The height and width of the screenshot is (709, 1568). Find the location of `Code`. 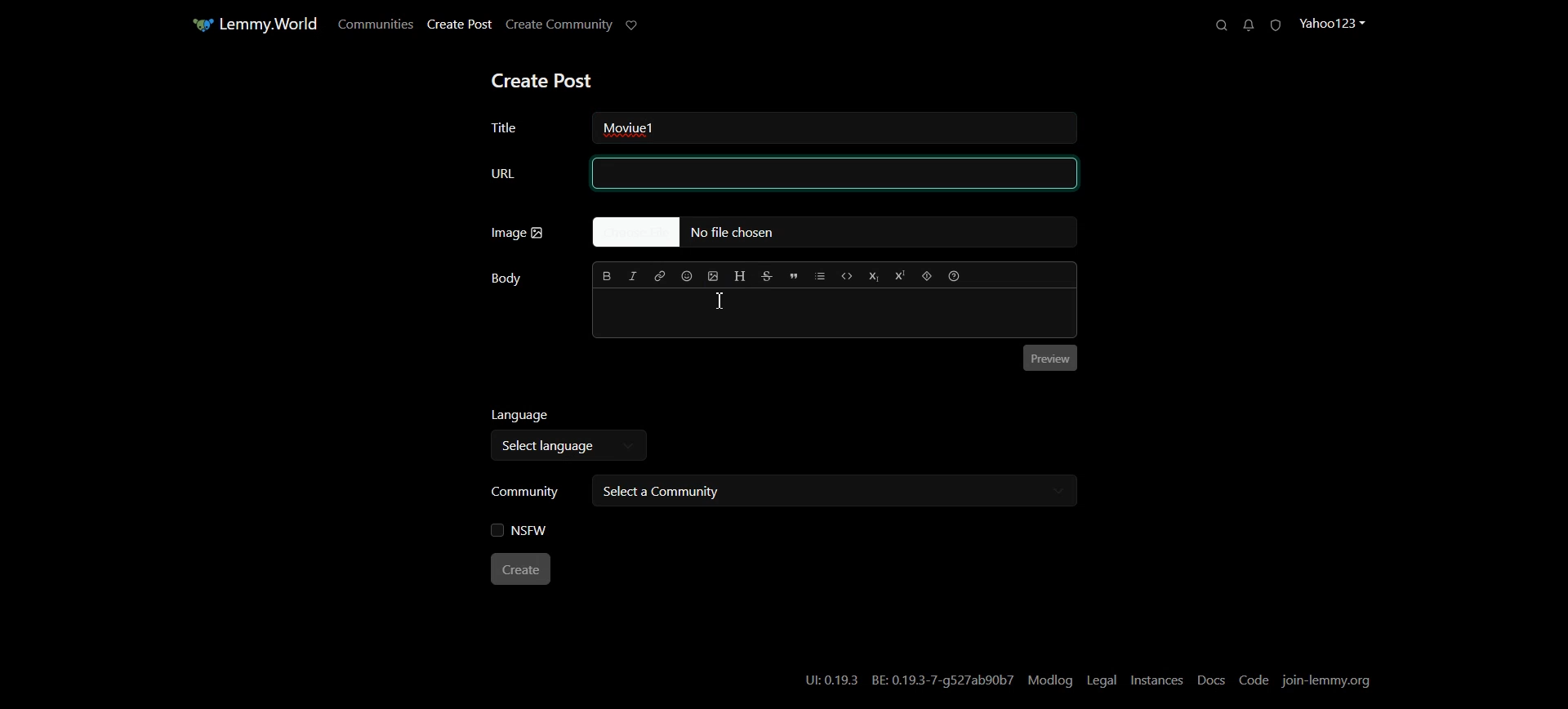

Code is located at coordinates (848, 275).